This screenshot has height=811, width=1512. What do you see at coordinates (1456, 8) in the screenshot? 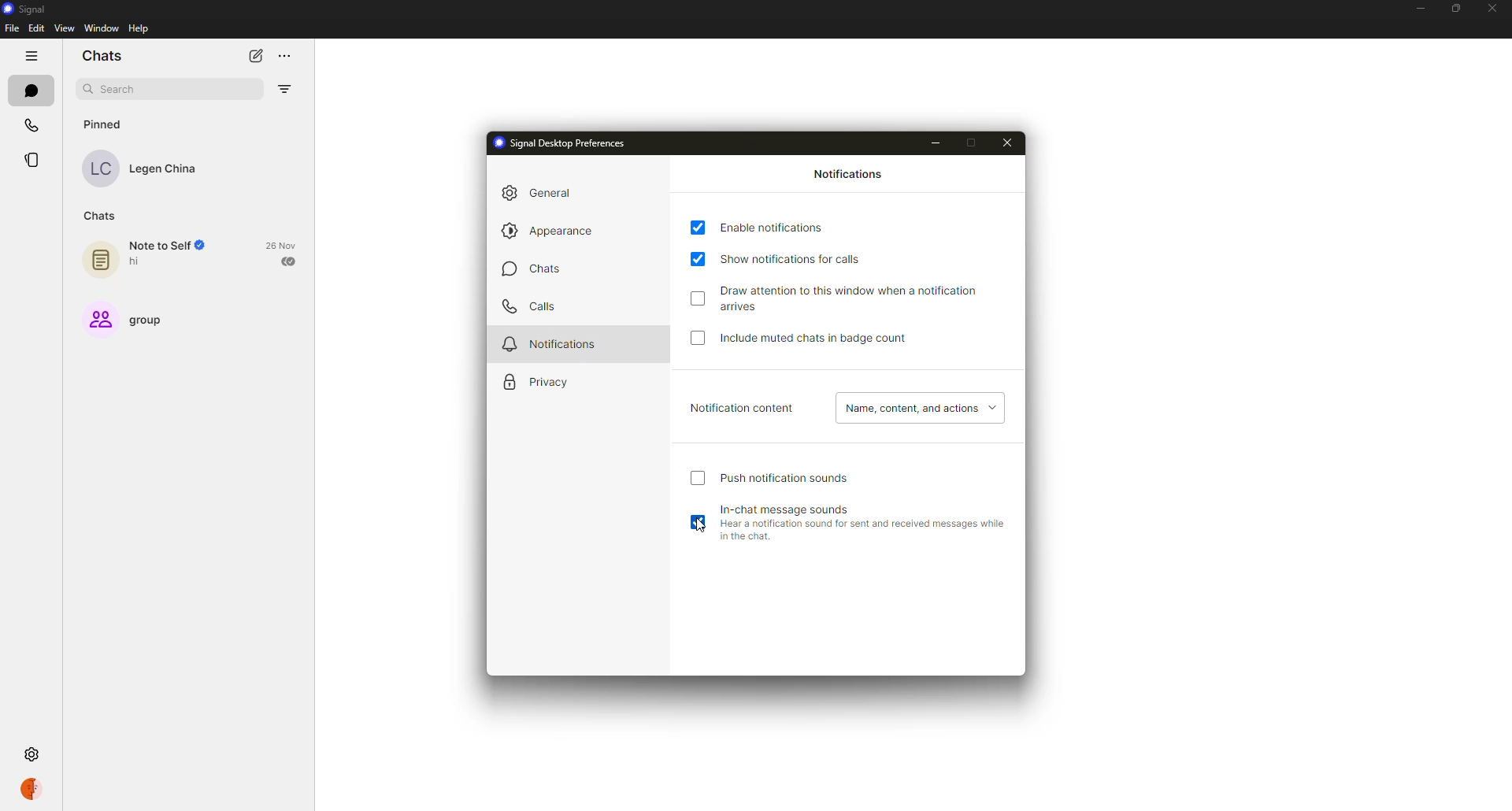
I see `maximize` at bounding box center [1456, 8].